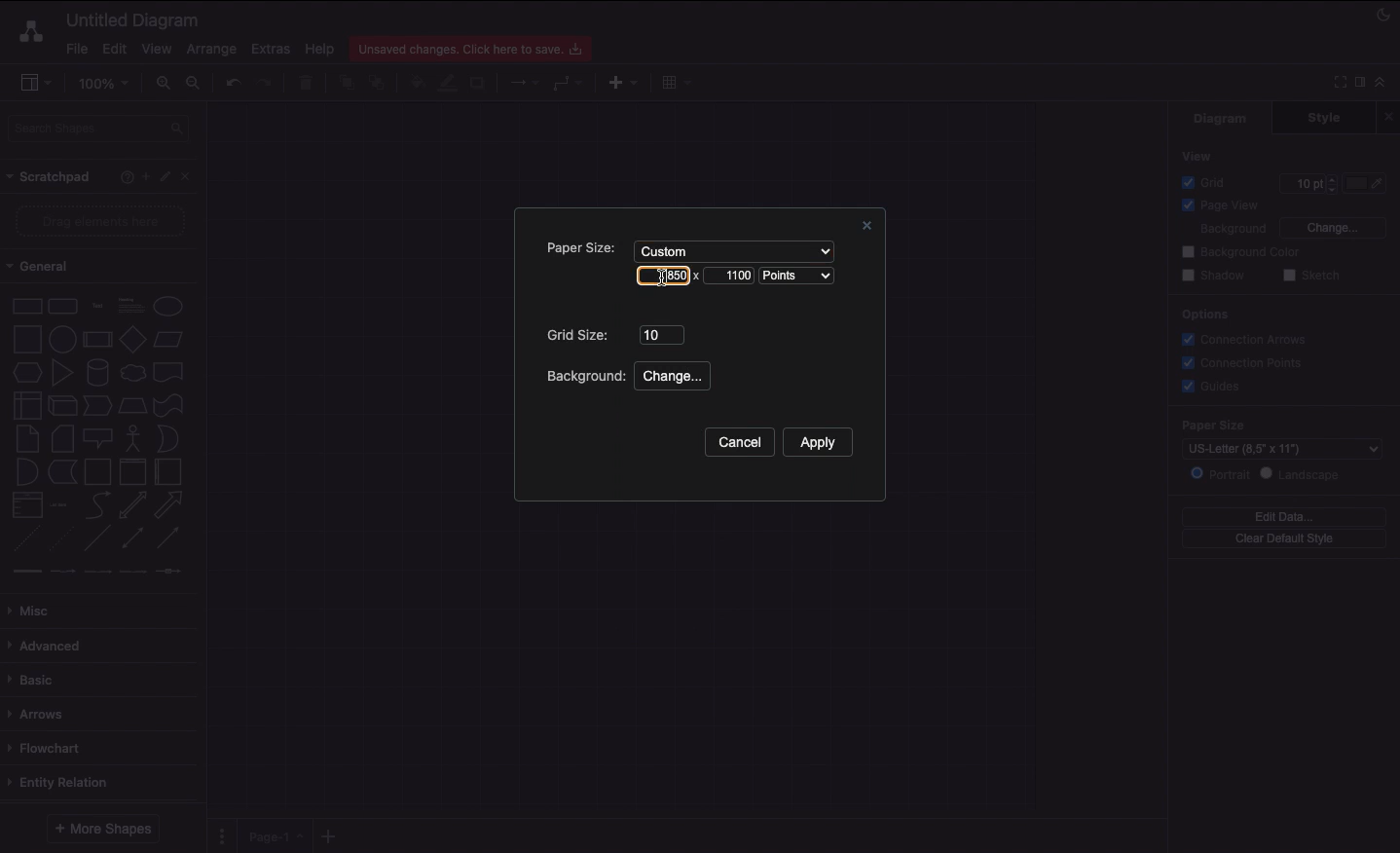  What do you see at coordinates (525, 83) in the screenshot?
I see `Connection ` at bounding box center [525, 83].